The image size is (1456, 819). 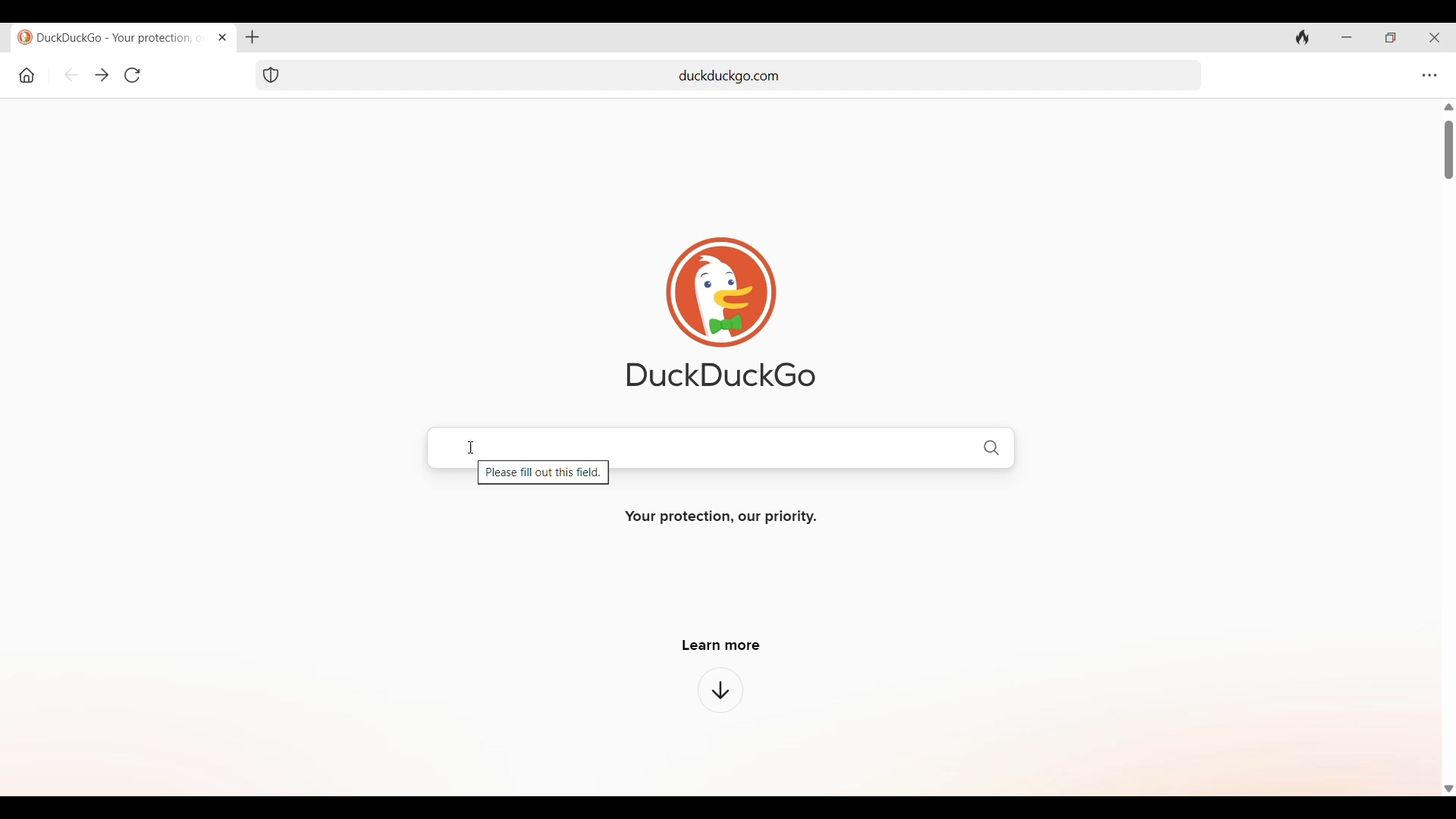 What do you see at coordinates (1347, 38) in the screenshot?
I see `Minimize` at bounding box center [1347, 38].